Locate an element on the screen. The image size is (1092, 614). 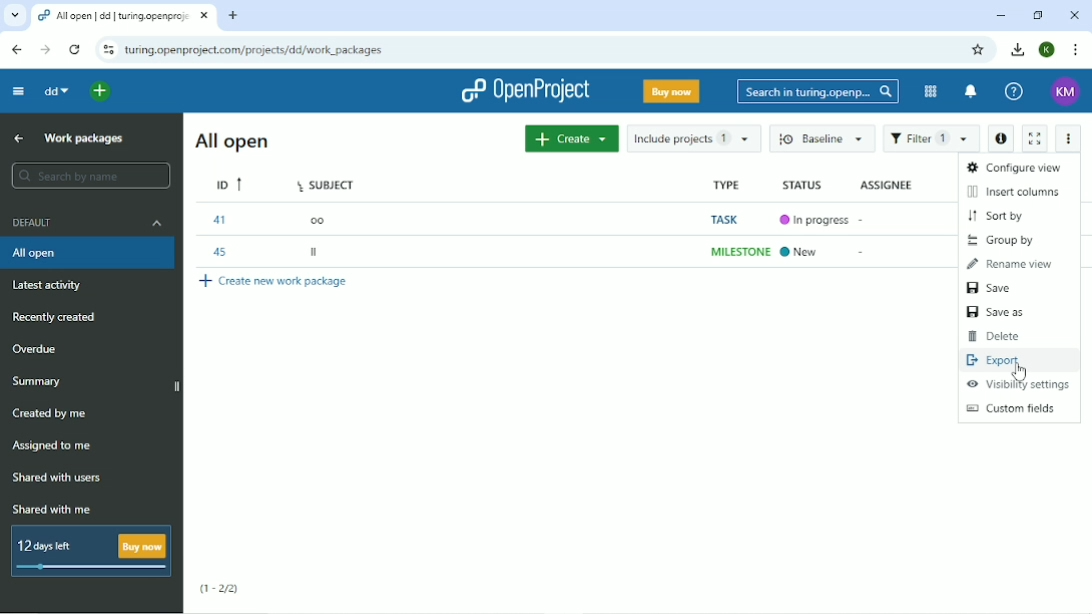
To notification center is located at coordinates (970, 92).